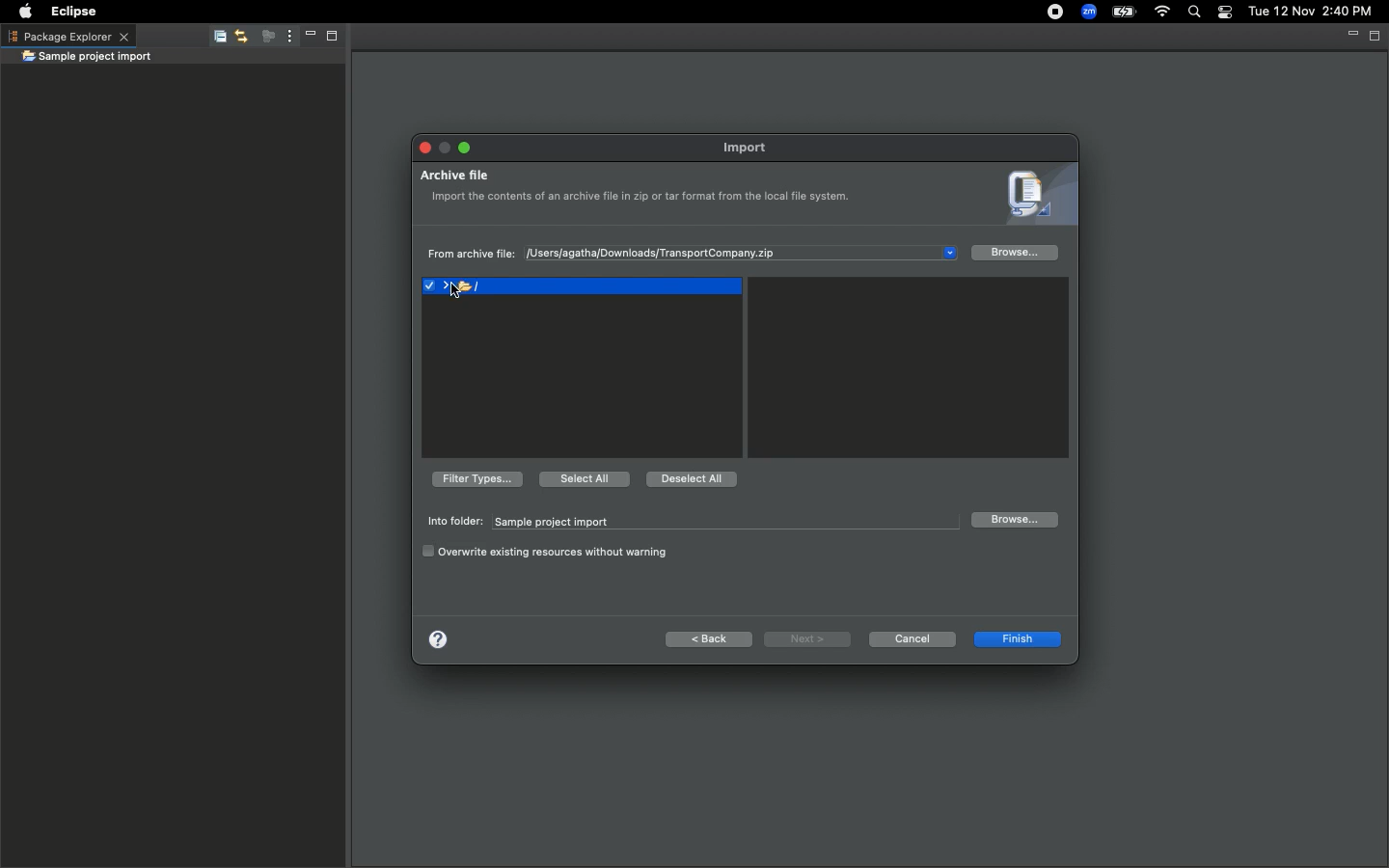 The image size is (1389, 868). I want to click on Browse, so click(1013, 520).